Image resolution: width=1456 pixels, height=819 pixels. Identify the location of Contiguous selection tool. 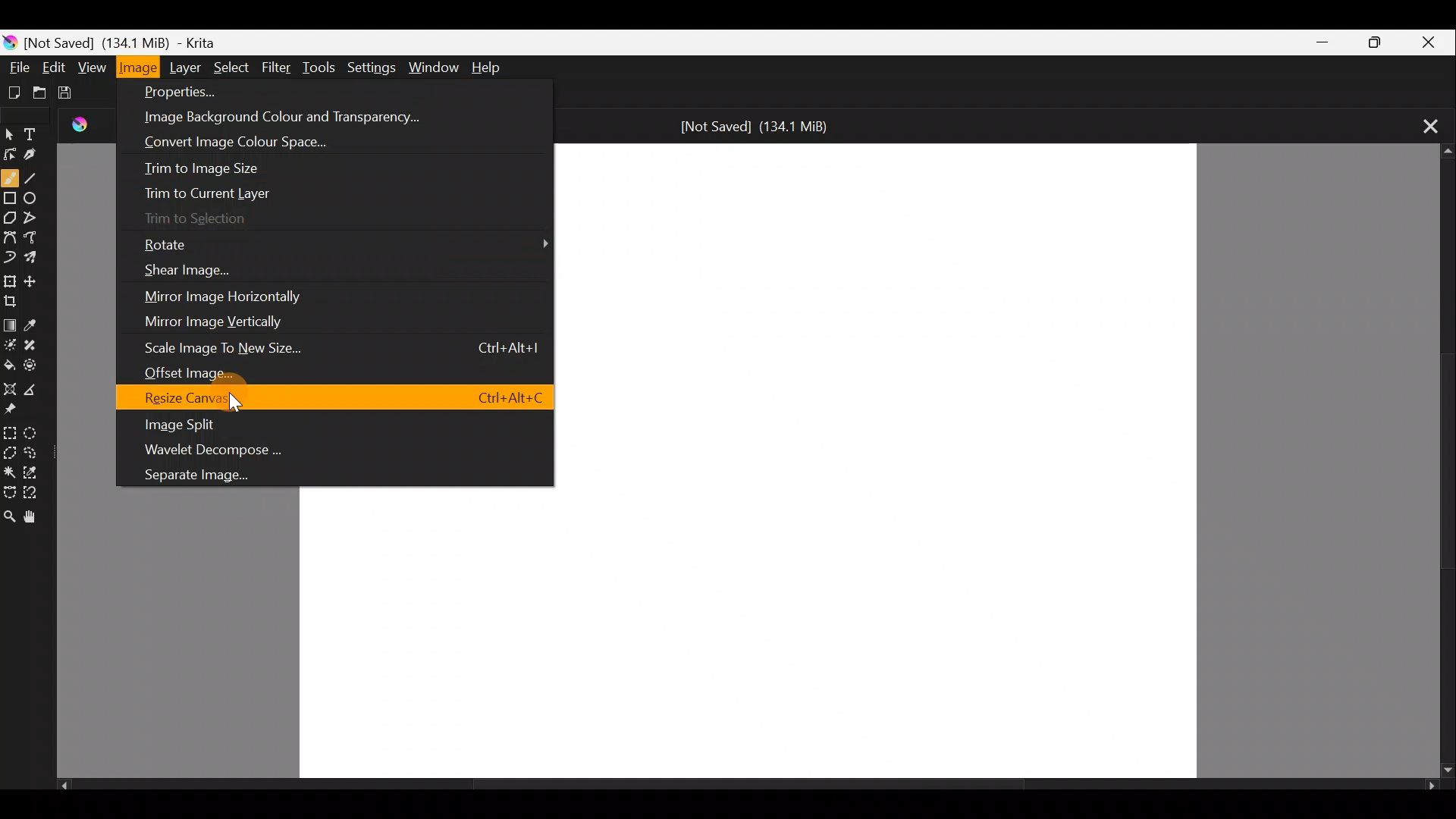
(10, 472).